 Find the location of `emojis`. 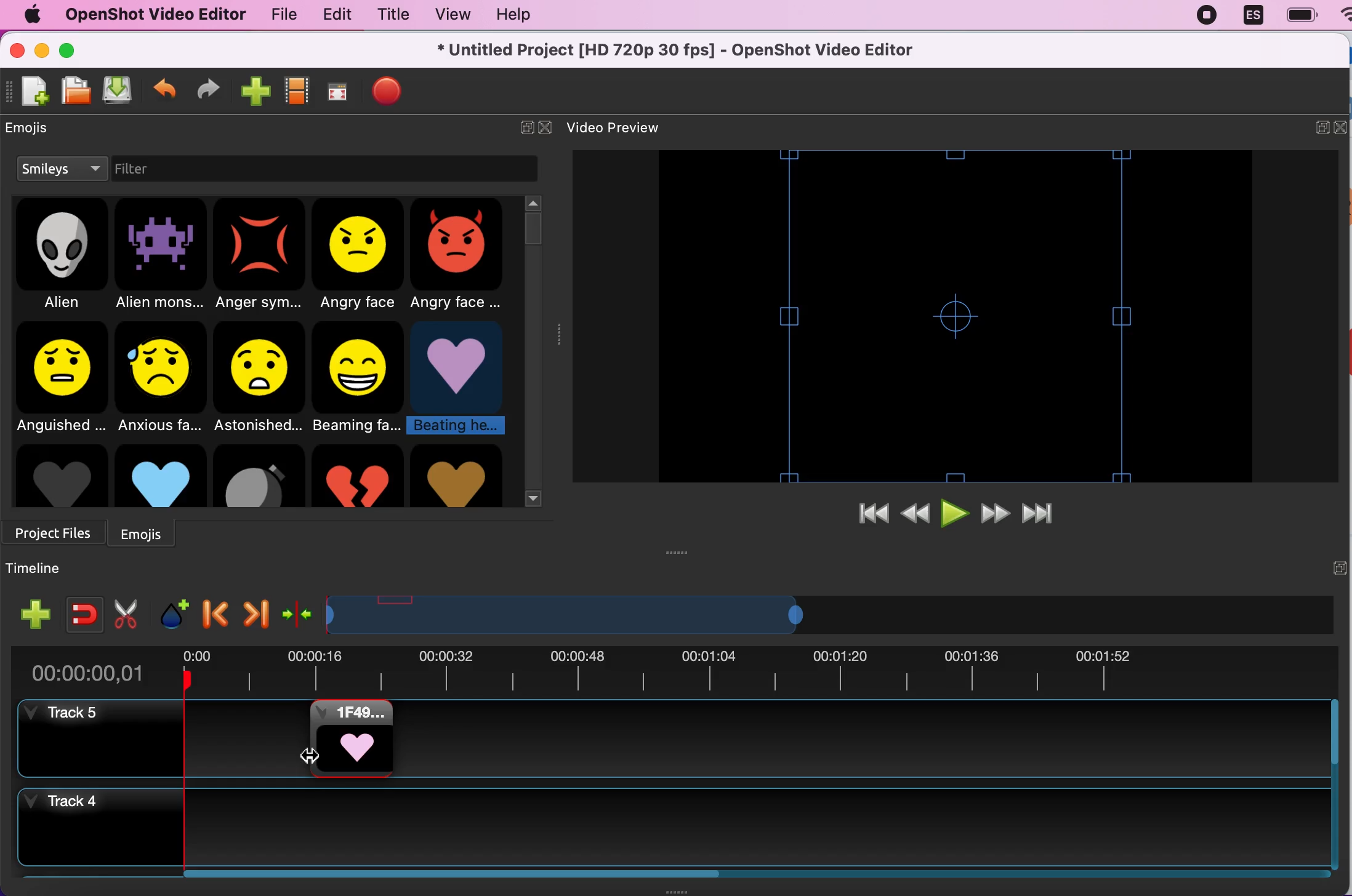

emojis is located at coordinates (149, 532).